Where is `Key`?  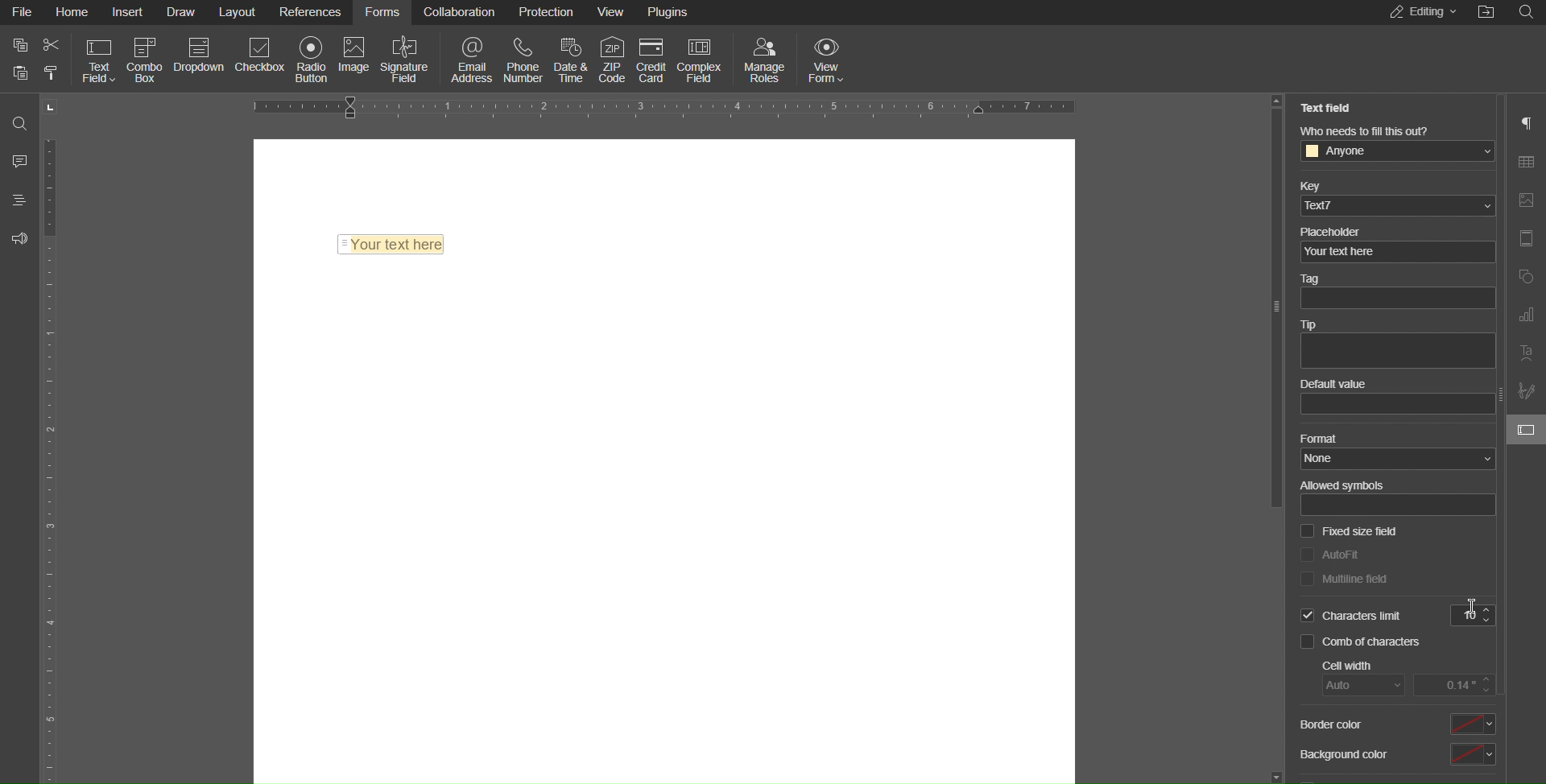
Key is located at coordinates (1395, 196).